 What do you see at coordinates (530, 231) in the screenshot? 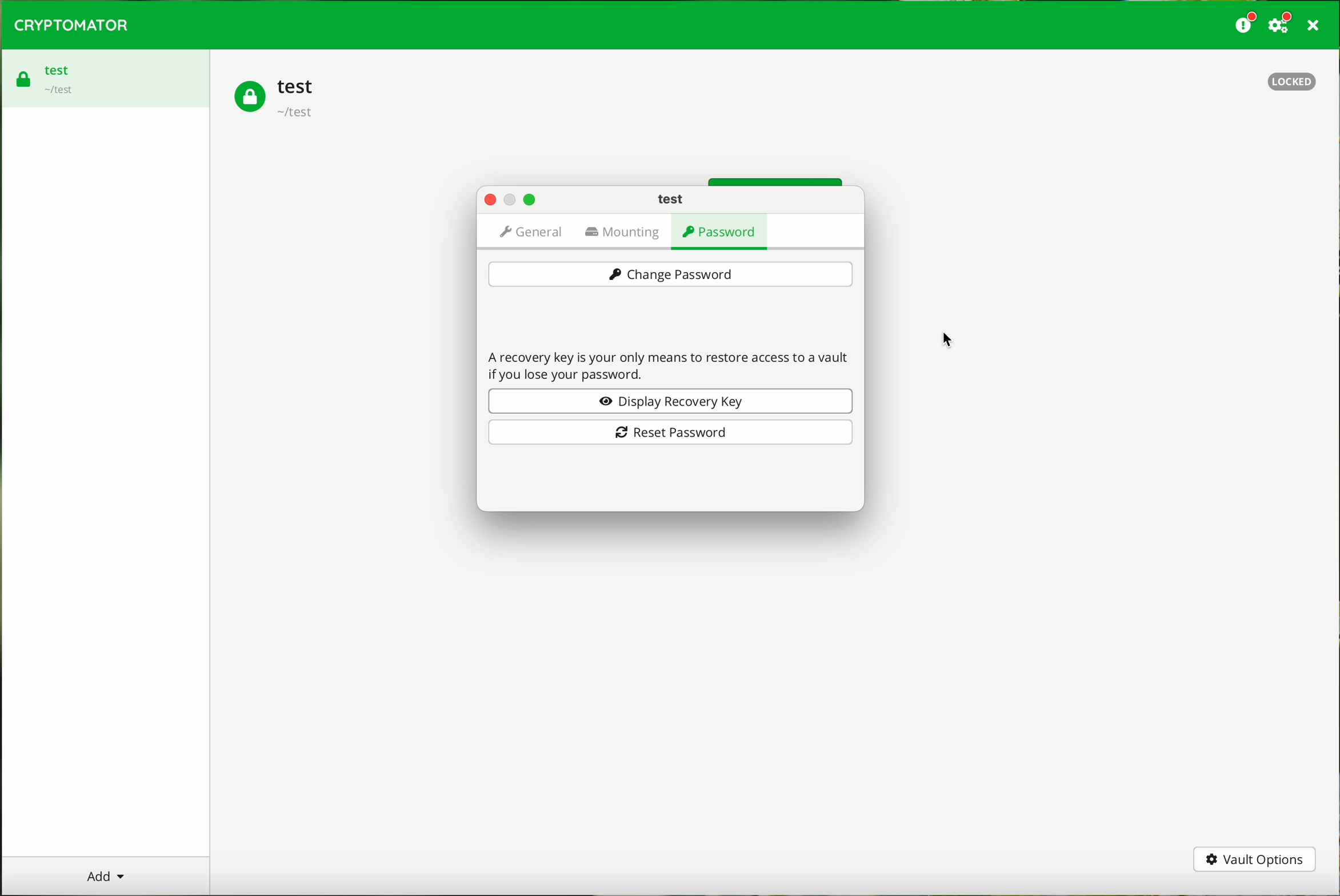
I see `general` at bounding box center [530, 231].